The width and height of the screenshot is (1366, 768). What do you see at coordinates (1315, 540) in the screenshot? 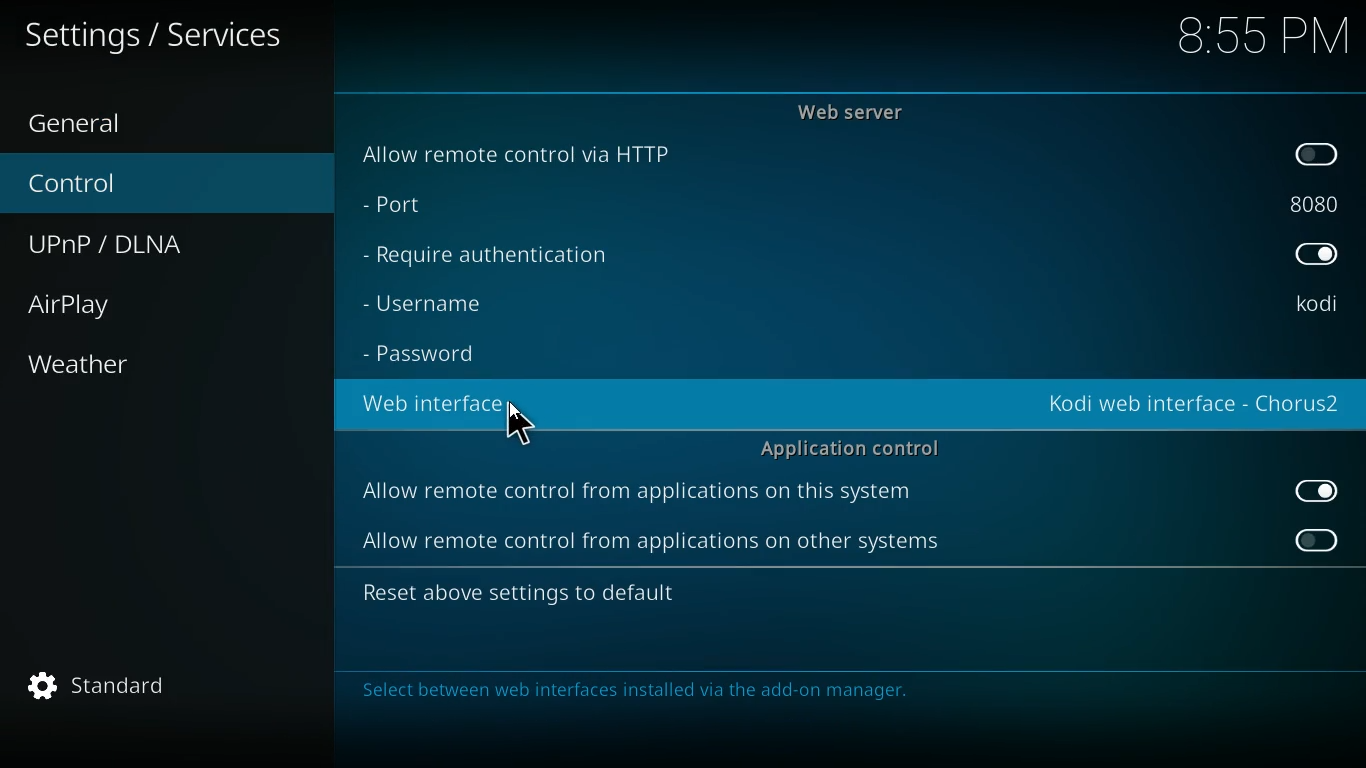
I see `off` at bounding box center [1315, 540].